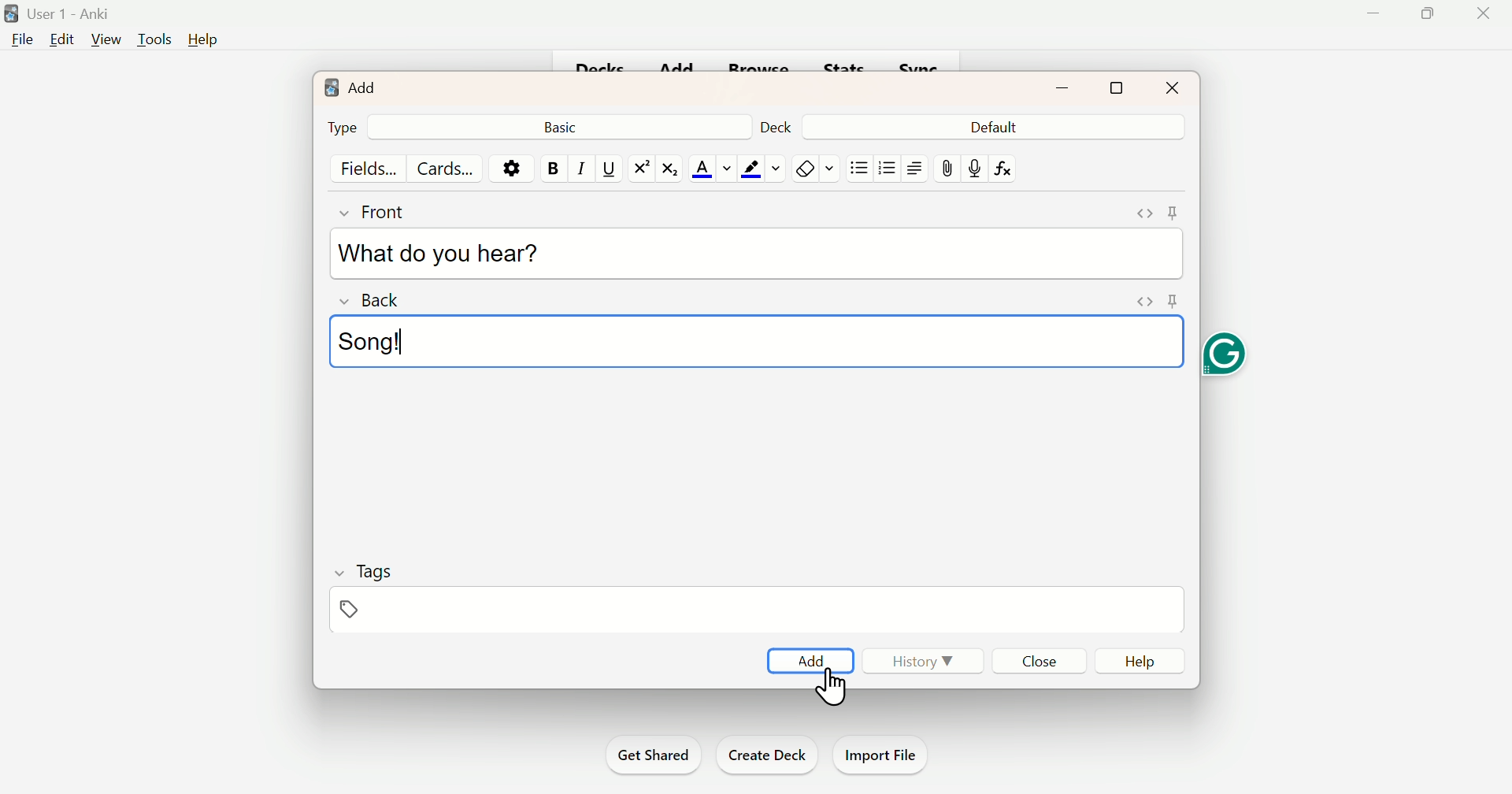  I want to click on Superscript, so click(638, 169).